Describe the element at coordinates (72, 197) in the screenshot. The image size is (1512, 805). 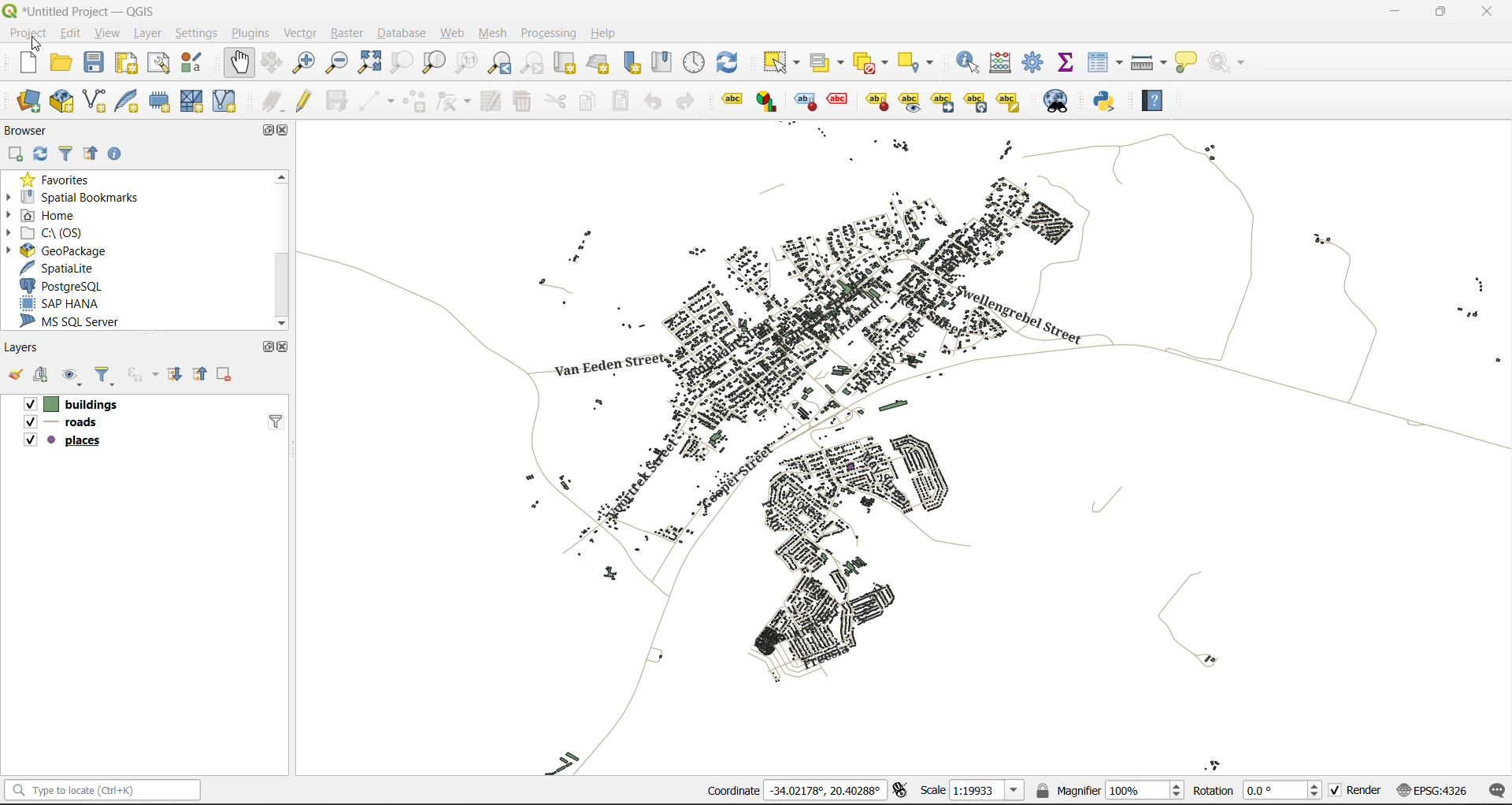
I see `spatial bookmarks` at that location.